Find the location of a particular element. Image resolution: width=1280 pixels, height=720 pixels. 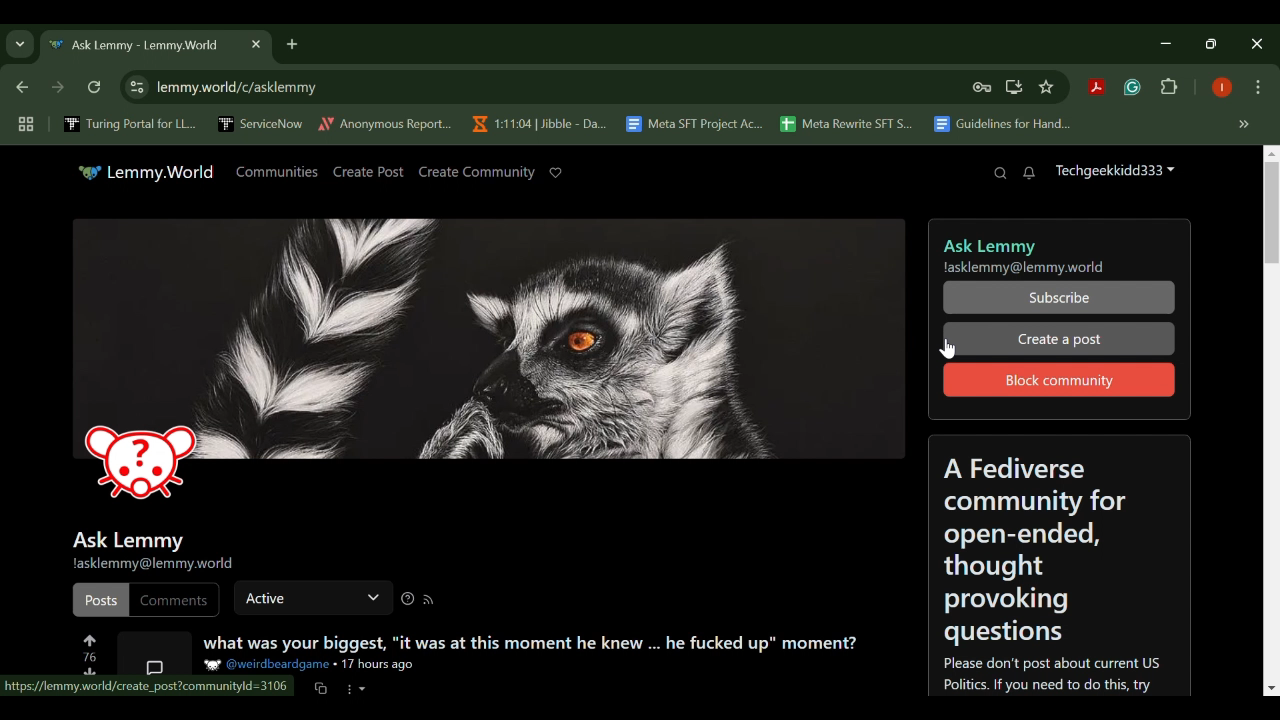

Techgeekkidd333 is located at coordinates (1114, 173).